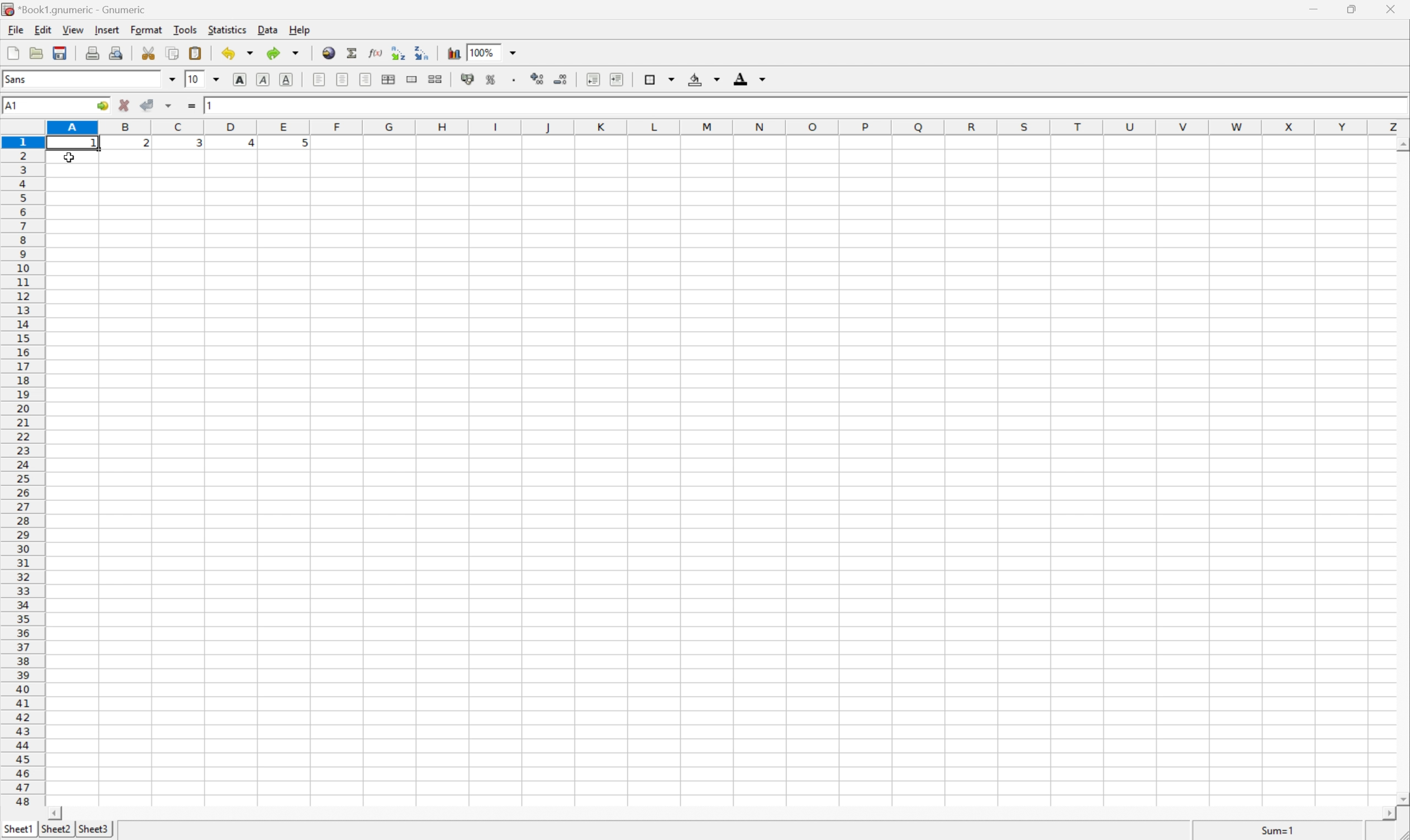 Image resolution: width=1410 pixels, height=840 pixels. What do you see at coordinates (366, 79) in the screenshot?
I see `align right` at bounding box center [366, 79].